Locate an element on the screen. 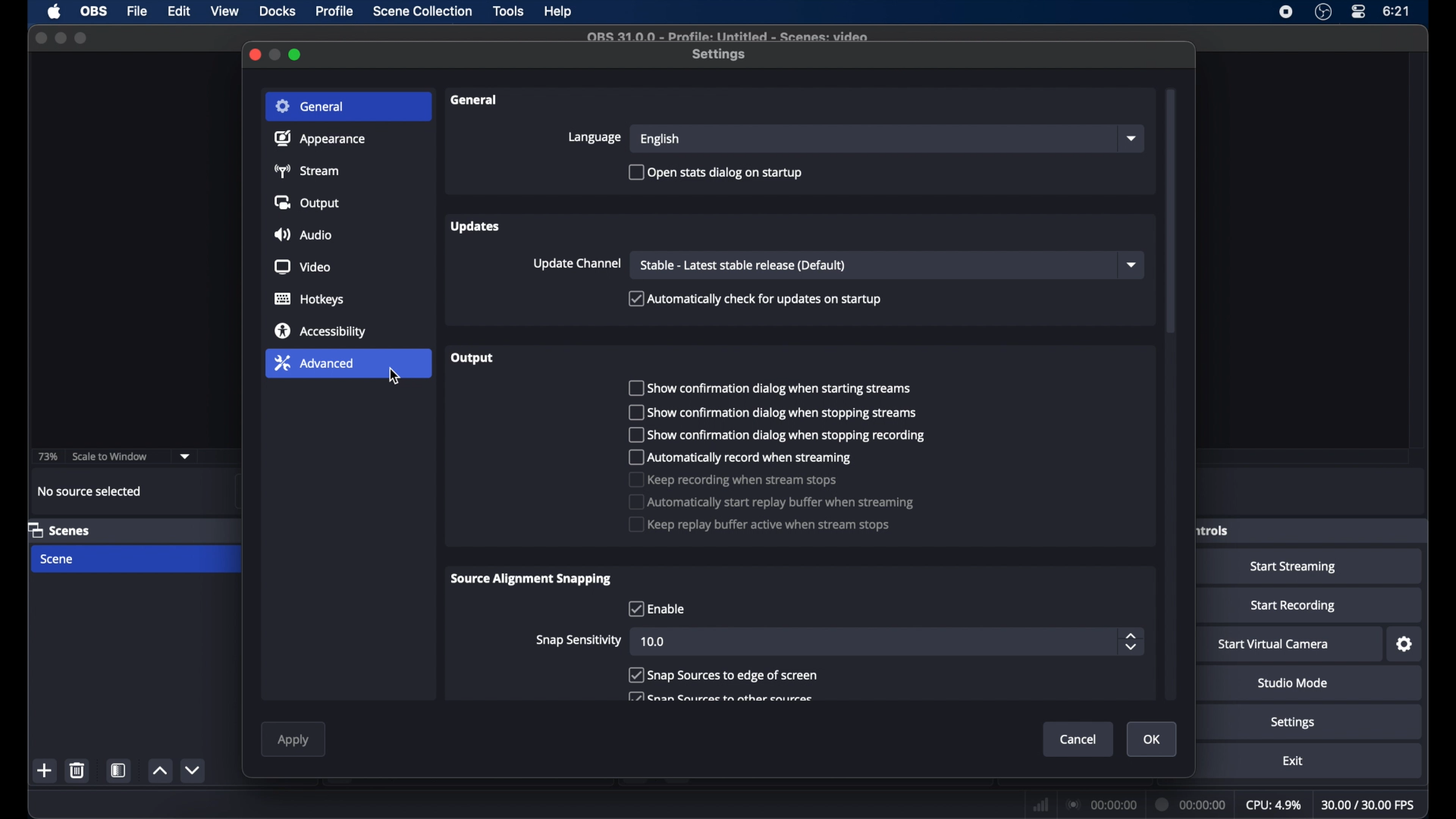   is located at coordinates (422, 12).